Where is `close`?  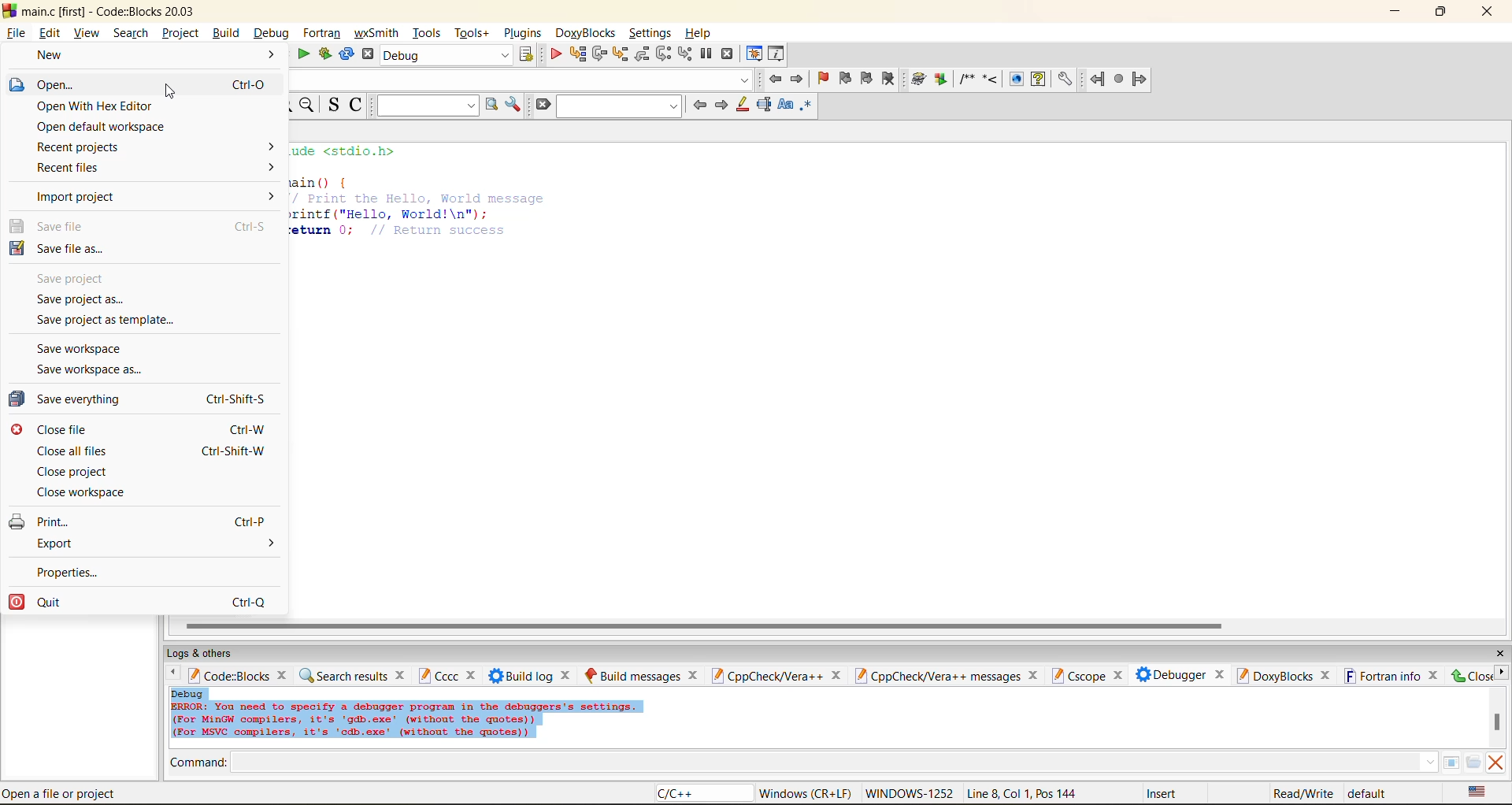
close is located at coordinates (836, 676).